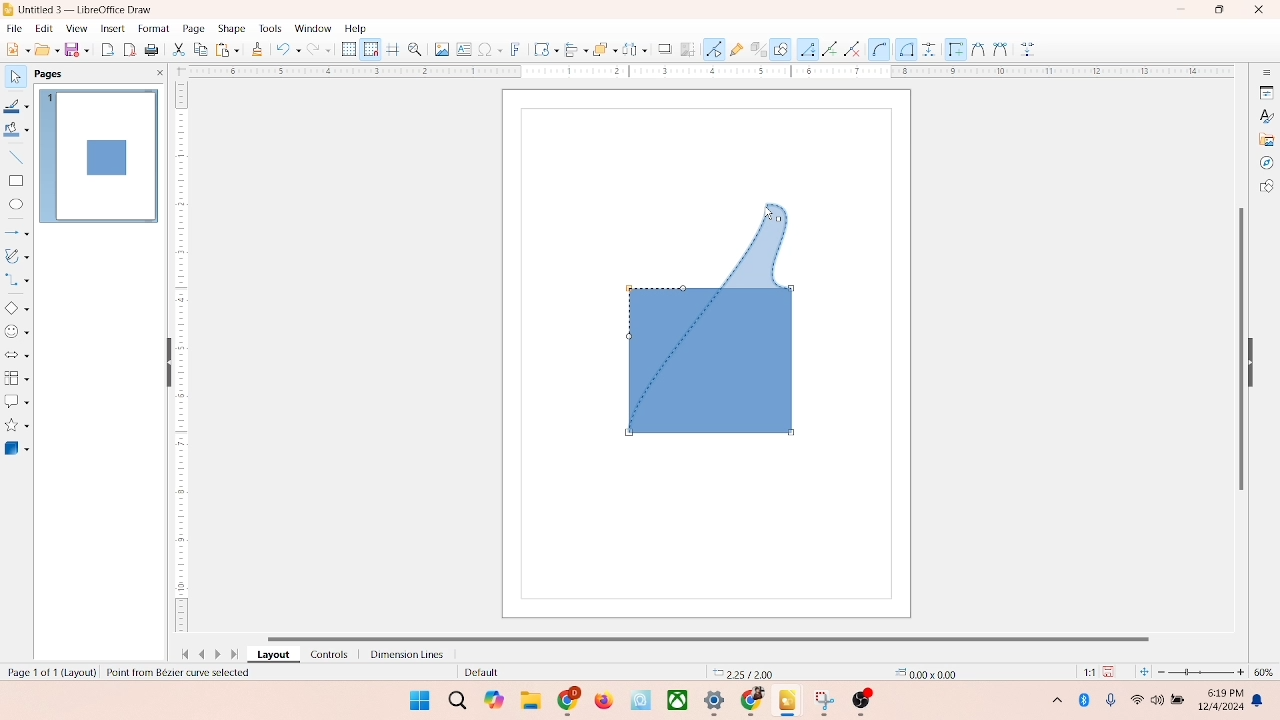 The width and height of the screenshot is (1280, 720). I want to click on horizontal scroll bar, so click(724, 636).